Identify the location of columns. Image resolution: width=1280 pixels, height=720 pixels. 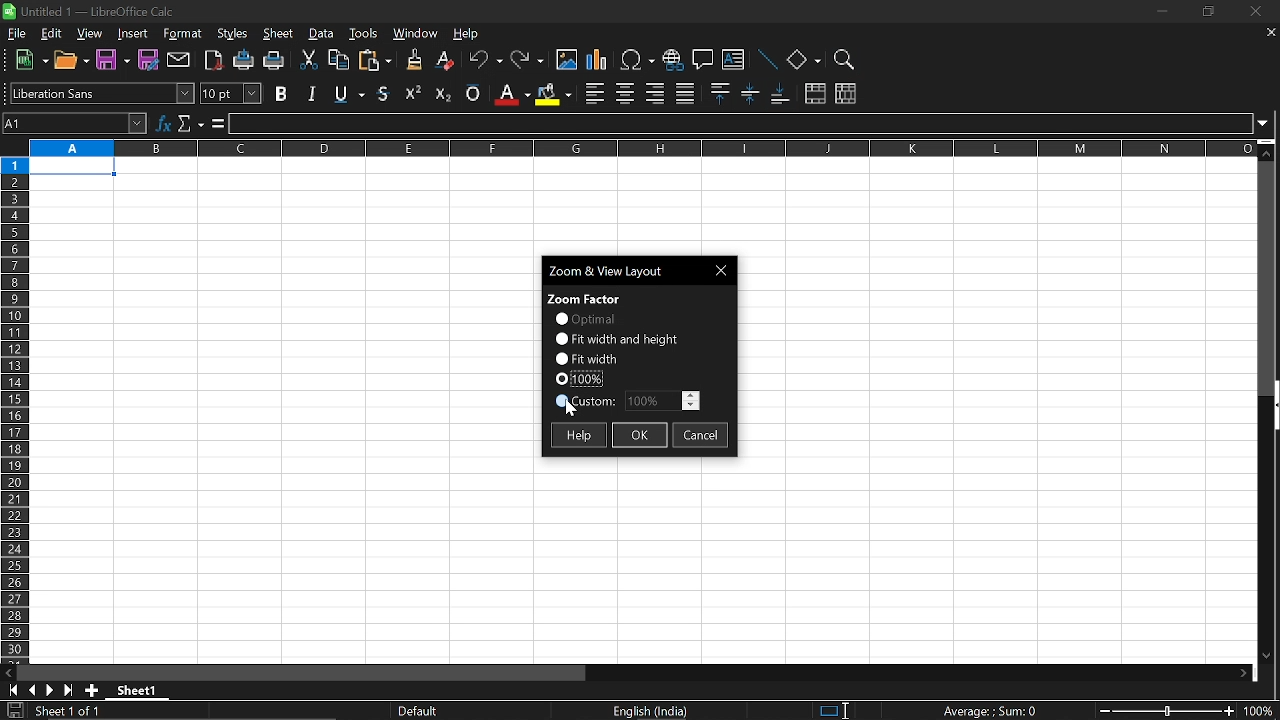
(639, 147).